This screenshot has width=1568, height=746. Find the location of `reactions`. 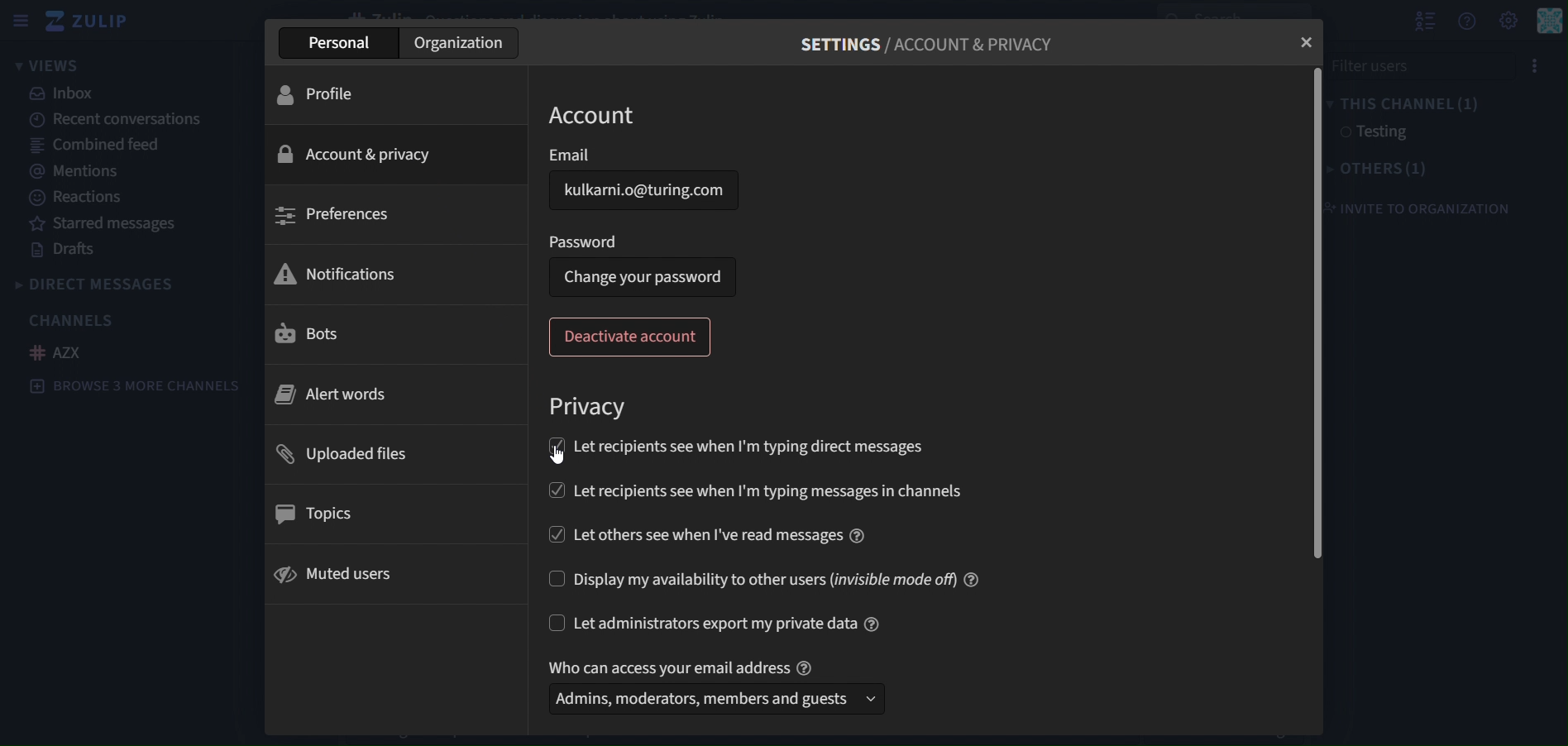

reactions is located at coordinates (83, 198).